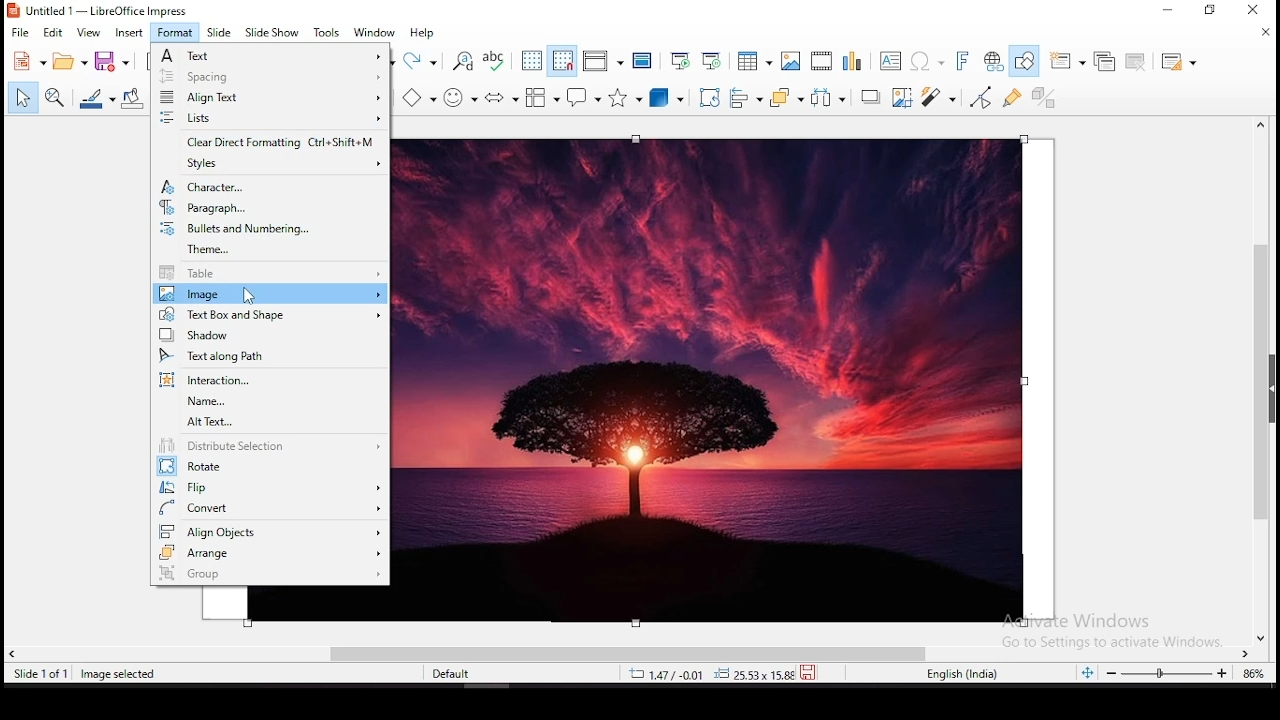  I want to click on fit slide to current window, so click(1090, 673).